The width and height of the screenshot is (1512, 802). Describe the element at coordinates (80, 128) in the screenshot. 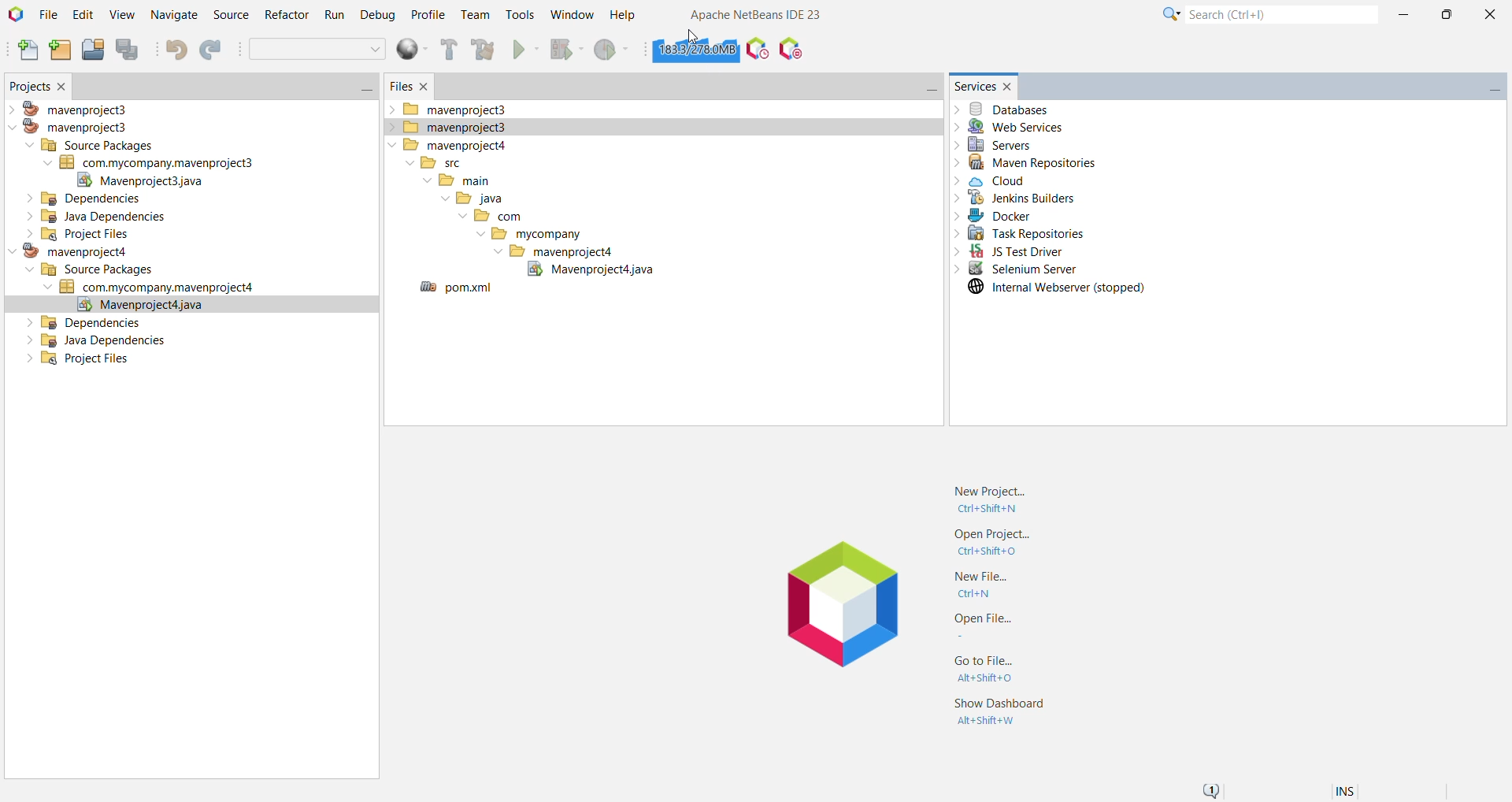

I see `mavenproject3` at that location.